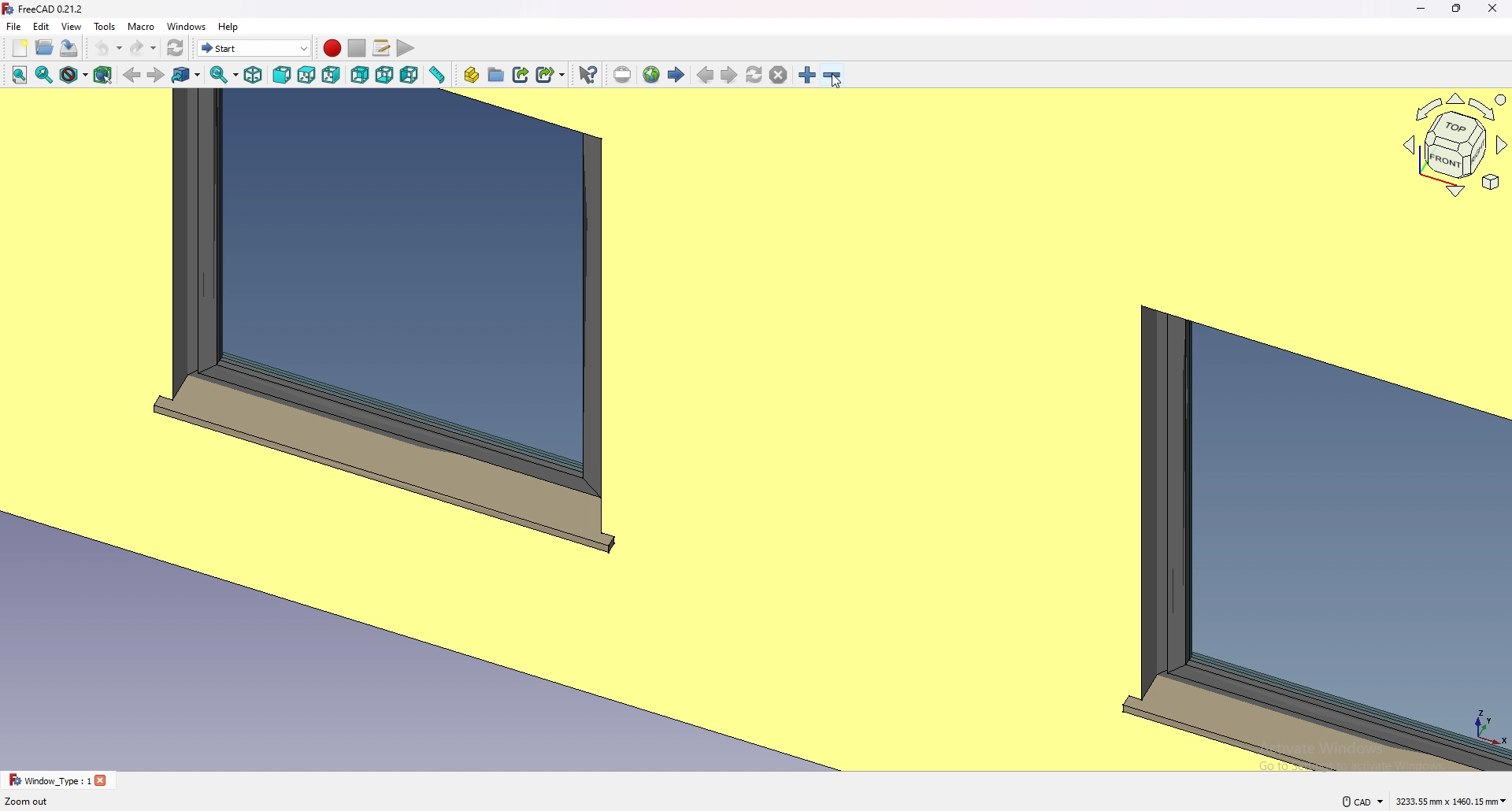  Describe the element at coordinates (497, 74) in the screenshot. I see `create group` at that location.